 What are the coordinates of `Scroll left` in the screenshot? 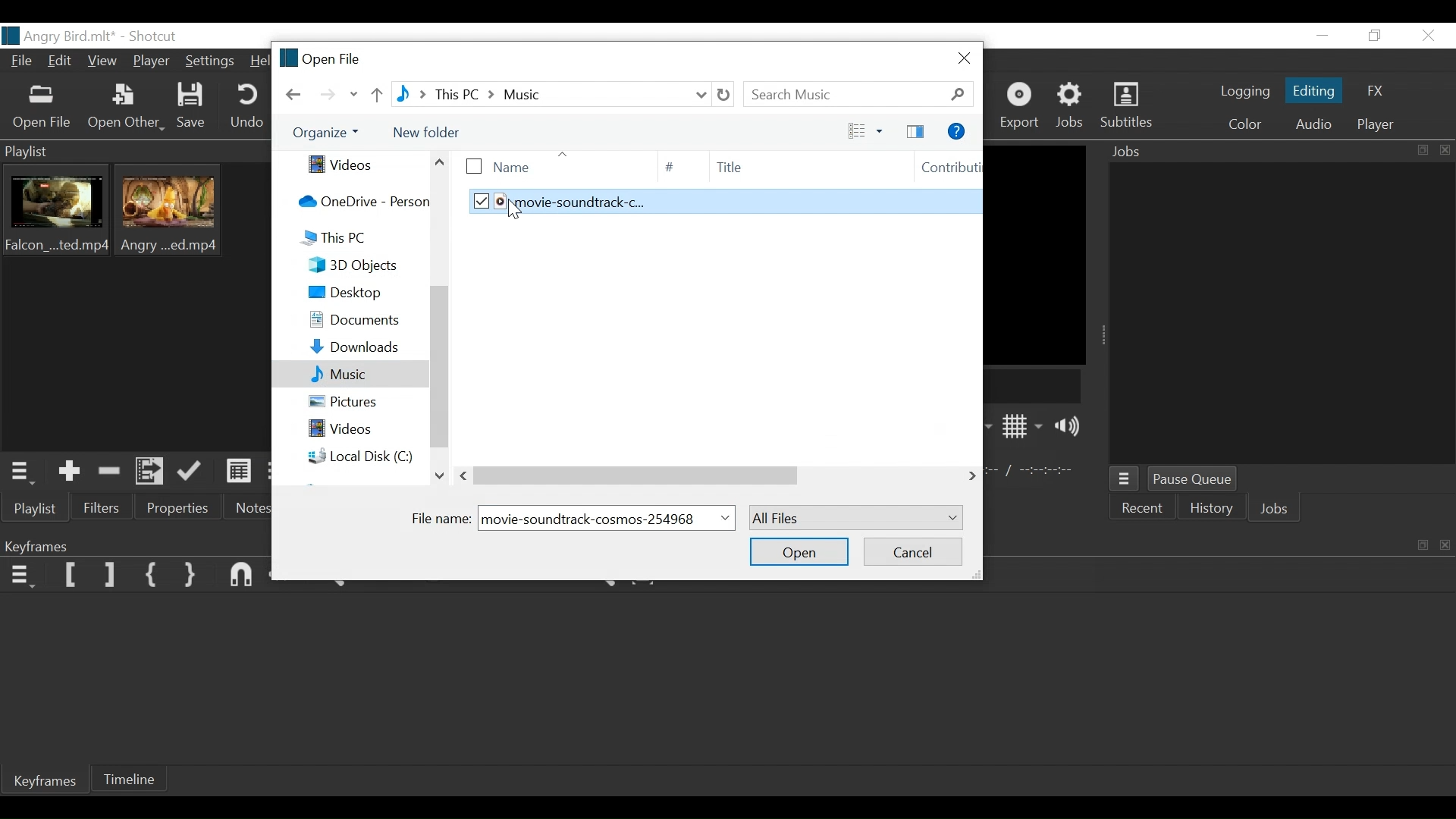 It's located at (466, 475).